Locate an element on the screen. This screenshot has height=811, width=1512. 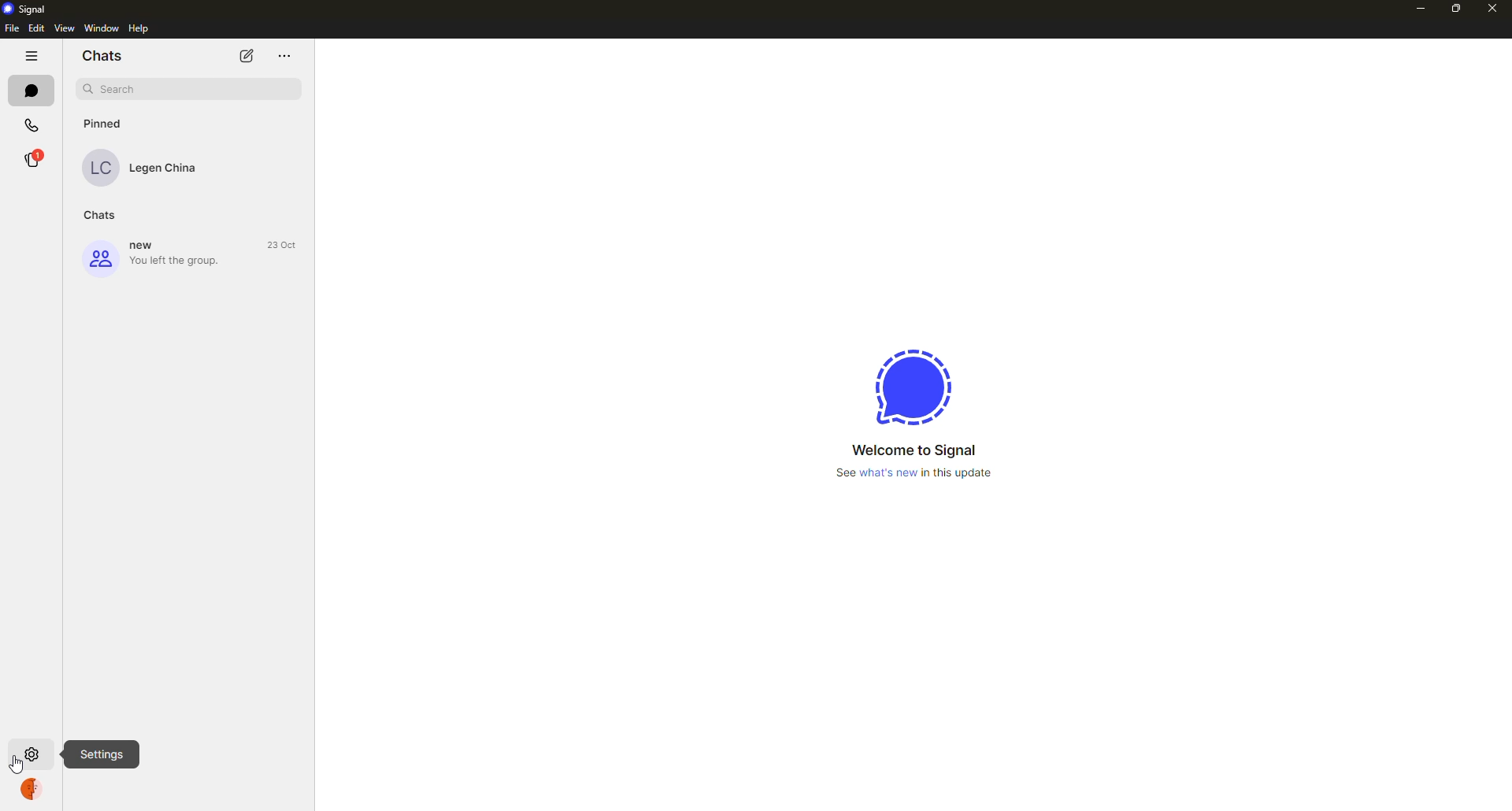
more options is located at coordinates (30, 56).